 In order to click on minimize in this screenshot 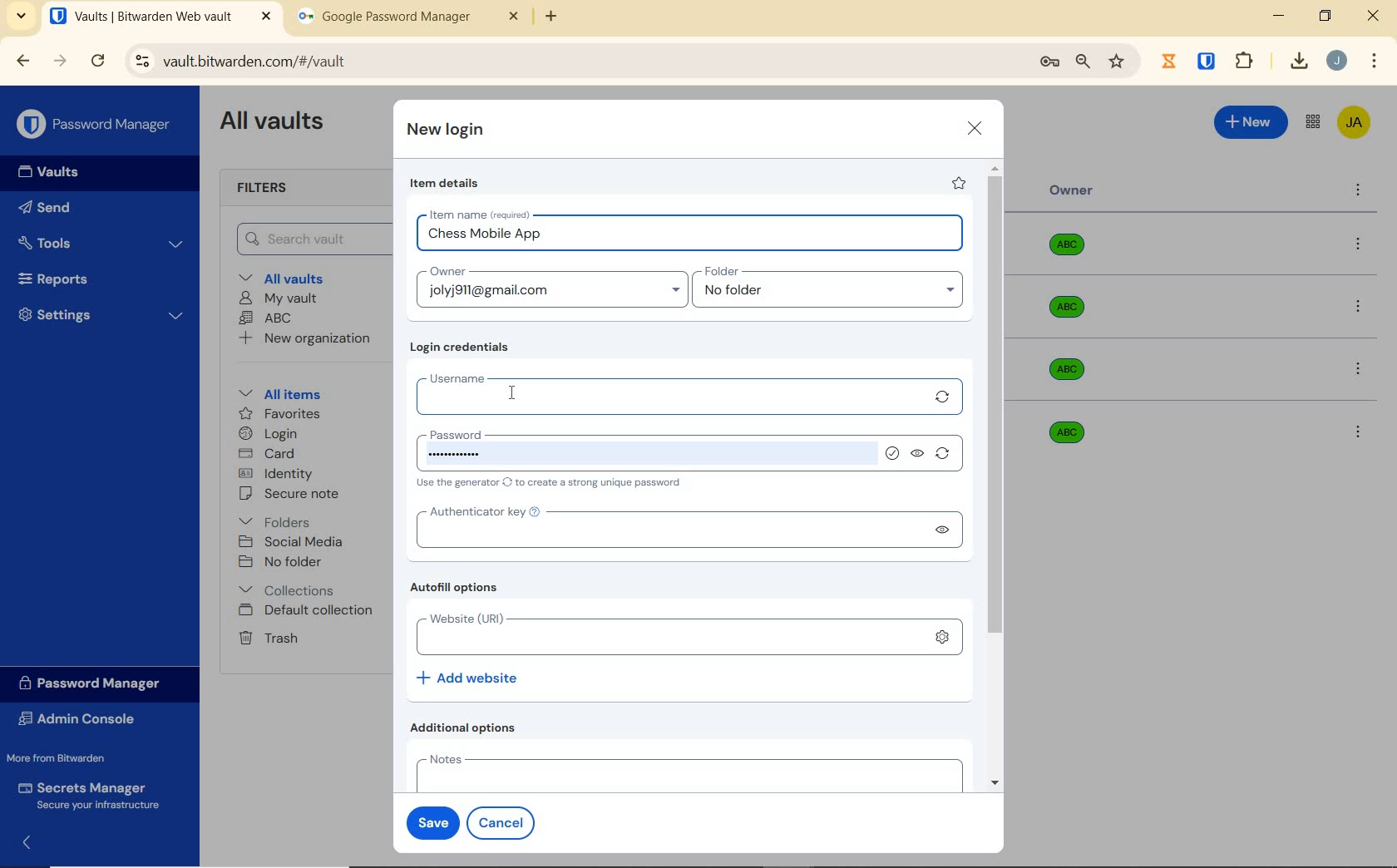, I will do `click(1278, 16)`.